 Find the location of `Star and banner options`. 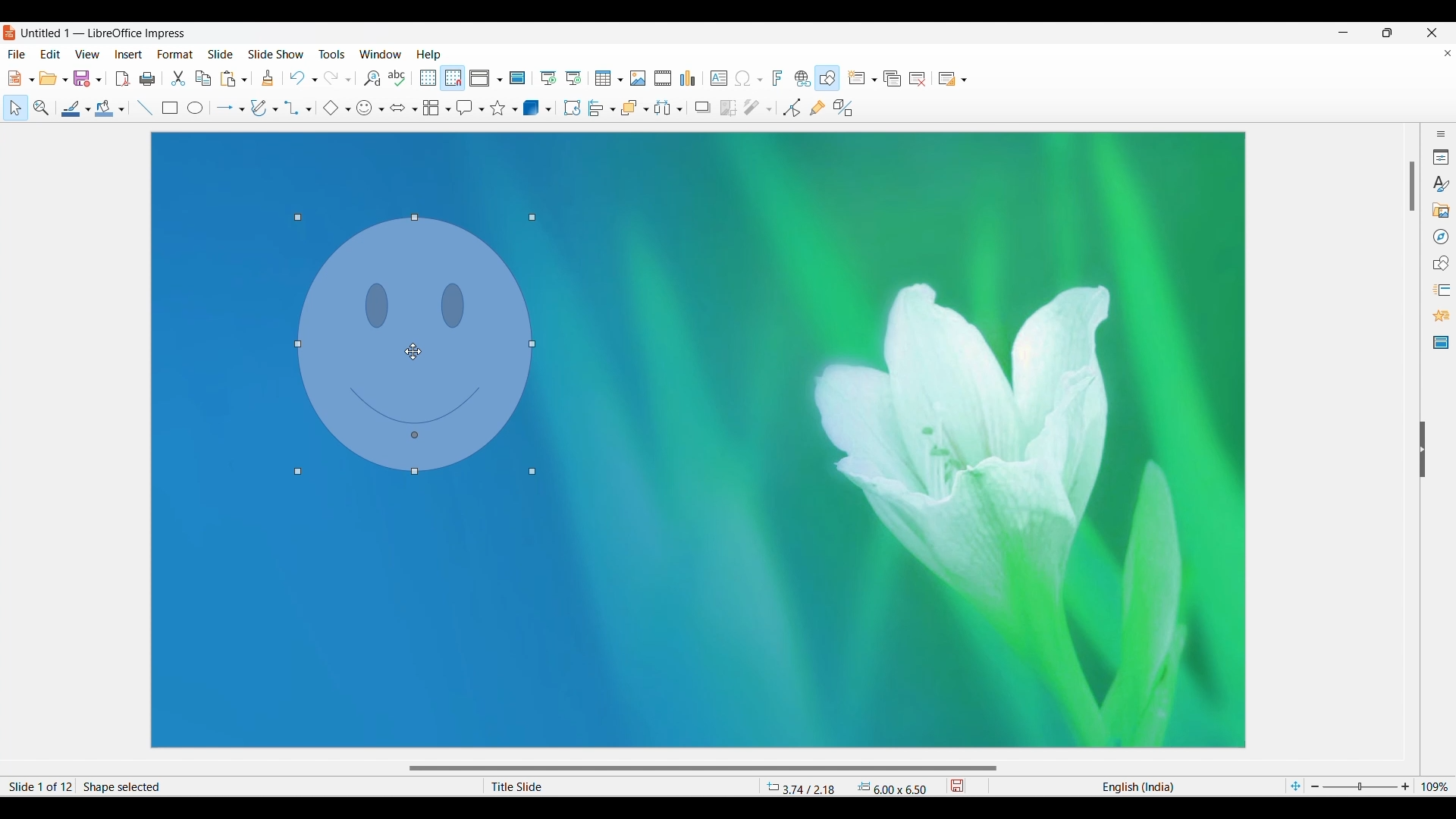

Star and banner options is located at coordinates (515, 110).